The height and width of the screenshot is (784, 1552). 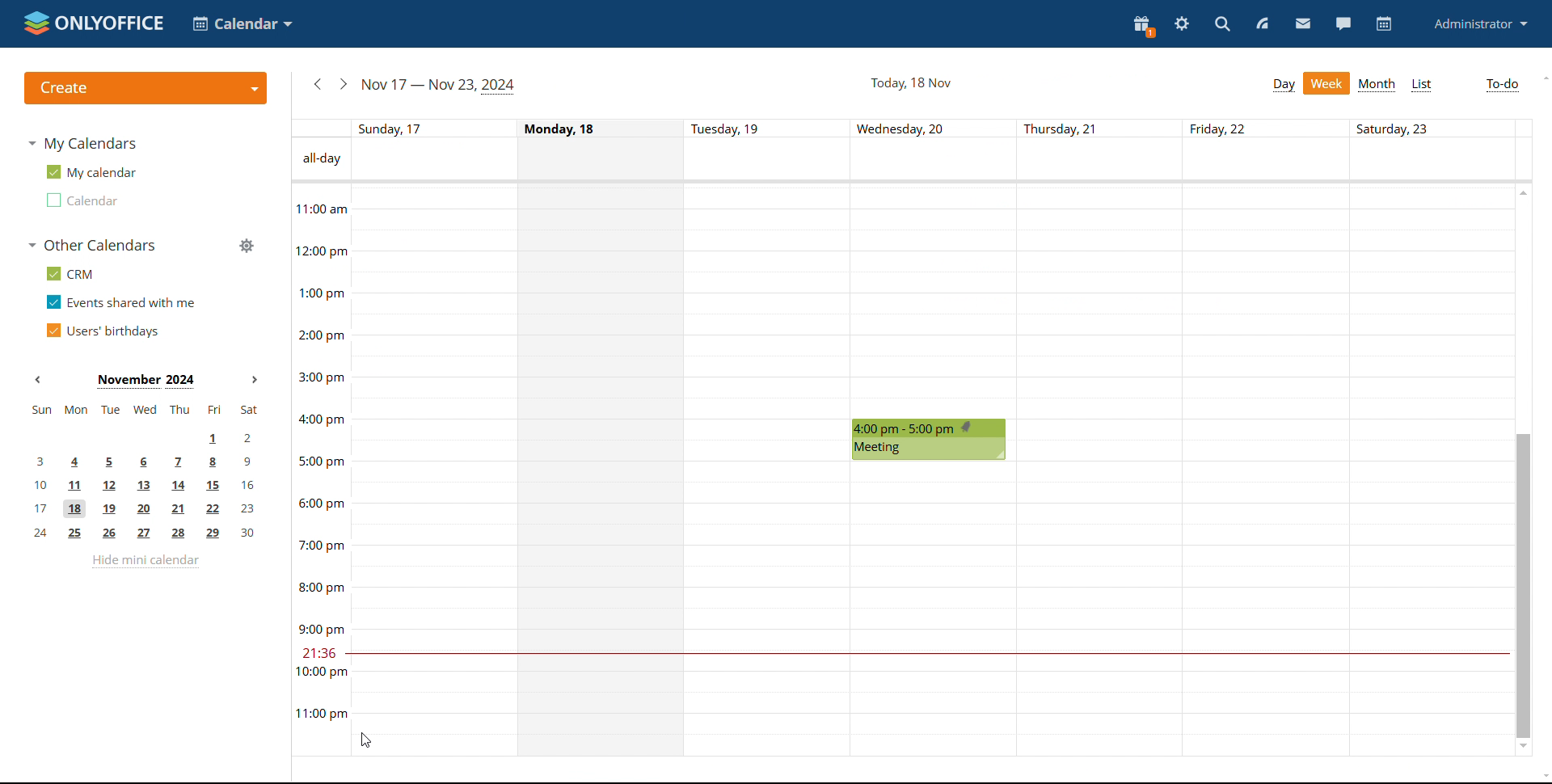 I want to click on wednesday, so click(x=934, y=300).